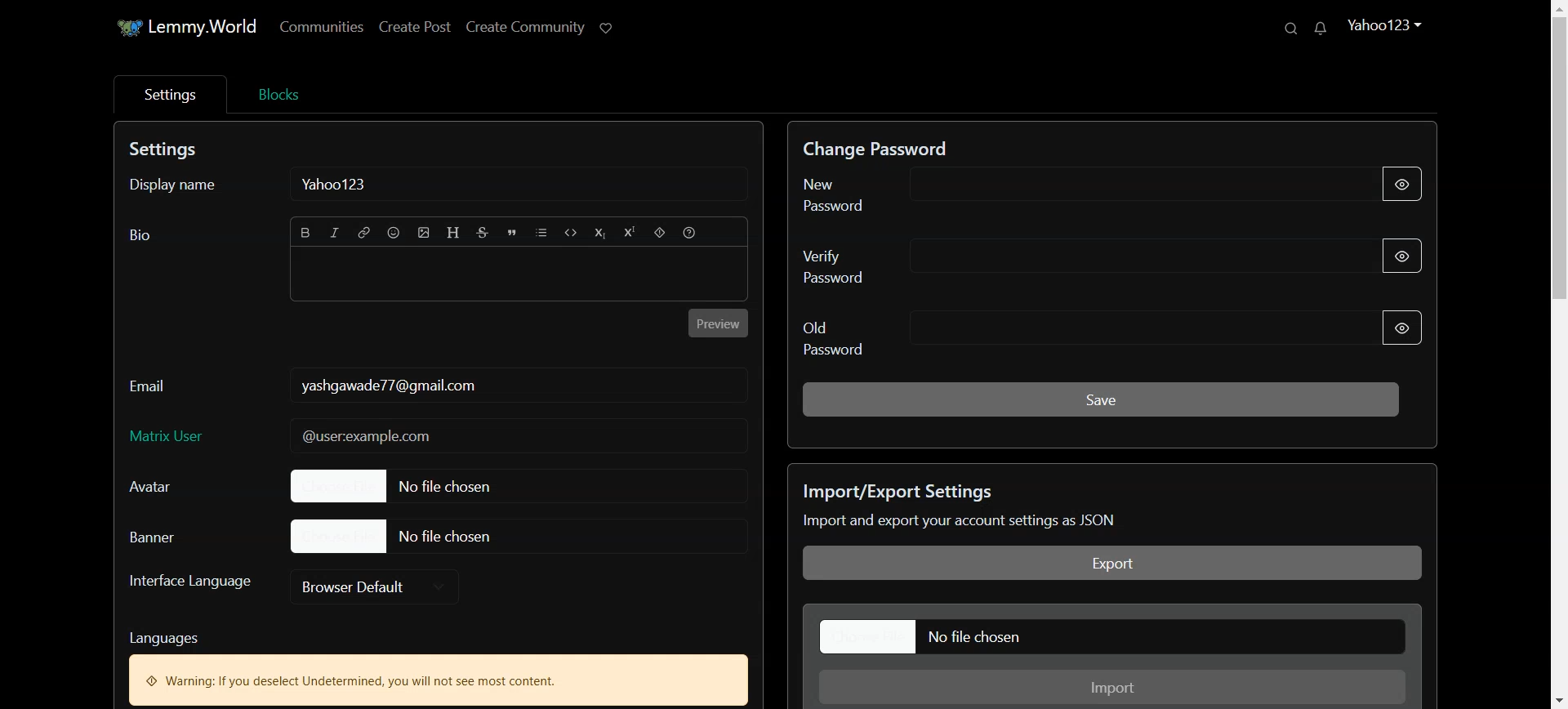 This screenshot has width=1568, height=709. I want to click on Matrix User, so click(437, 437).